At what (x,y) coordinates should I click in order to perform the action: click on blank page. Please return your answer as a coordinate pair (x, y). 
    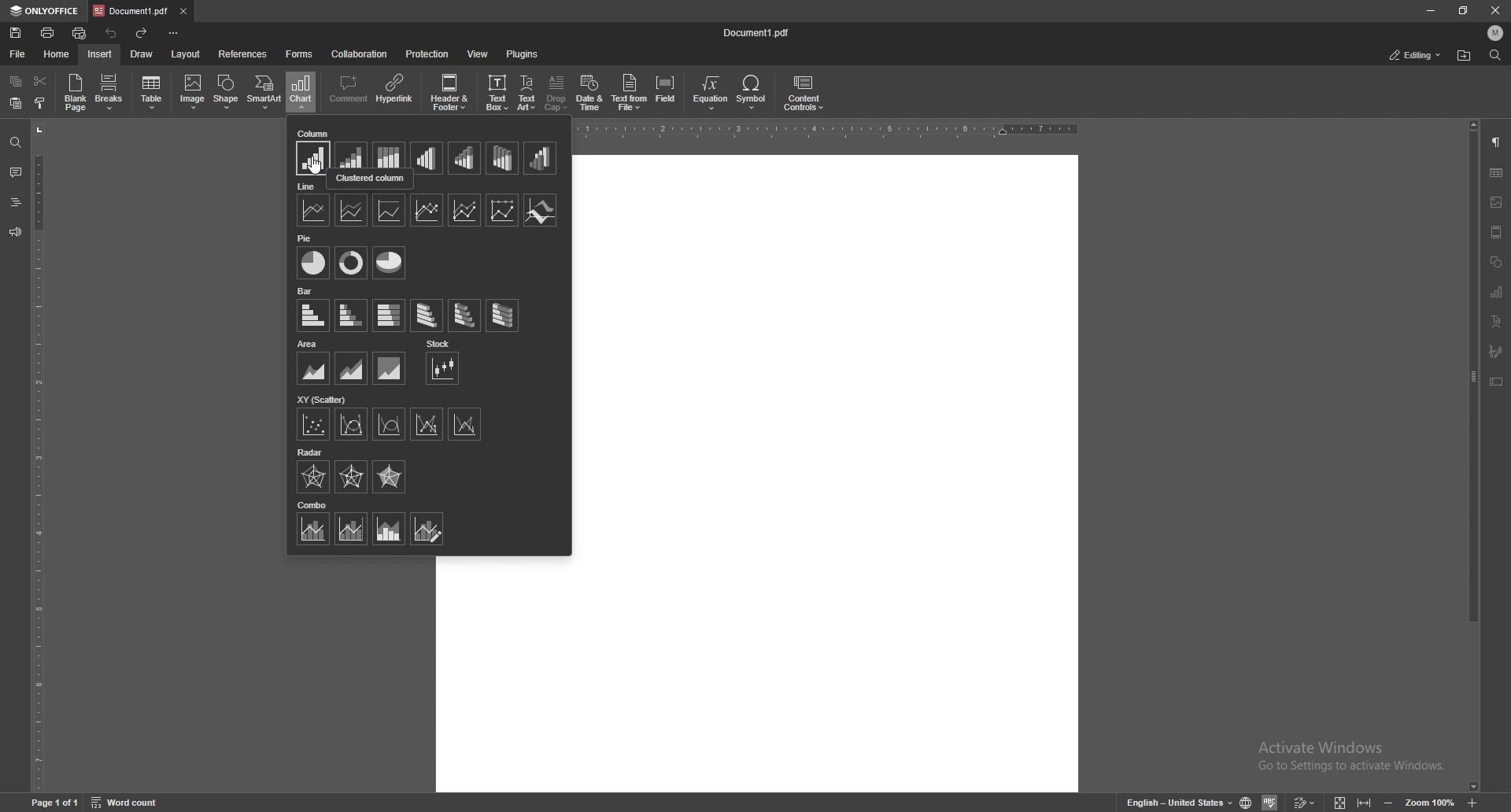
    Looking at the image, I should click on (77, 92).